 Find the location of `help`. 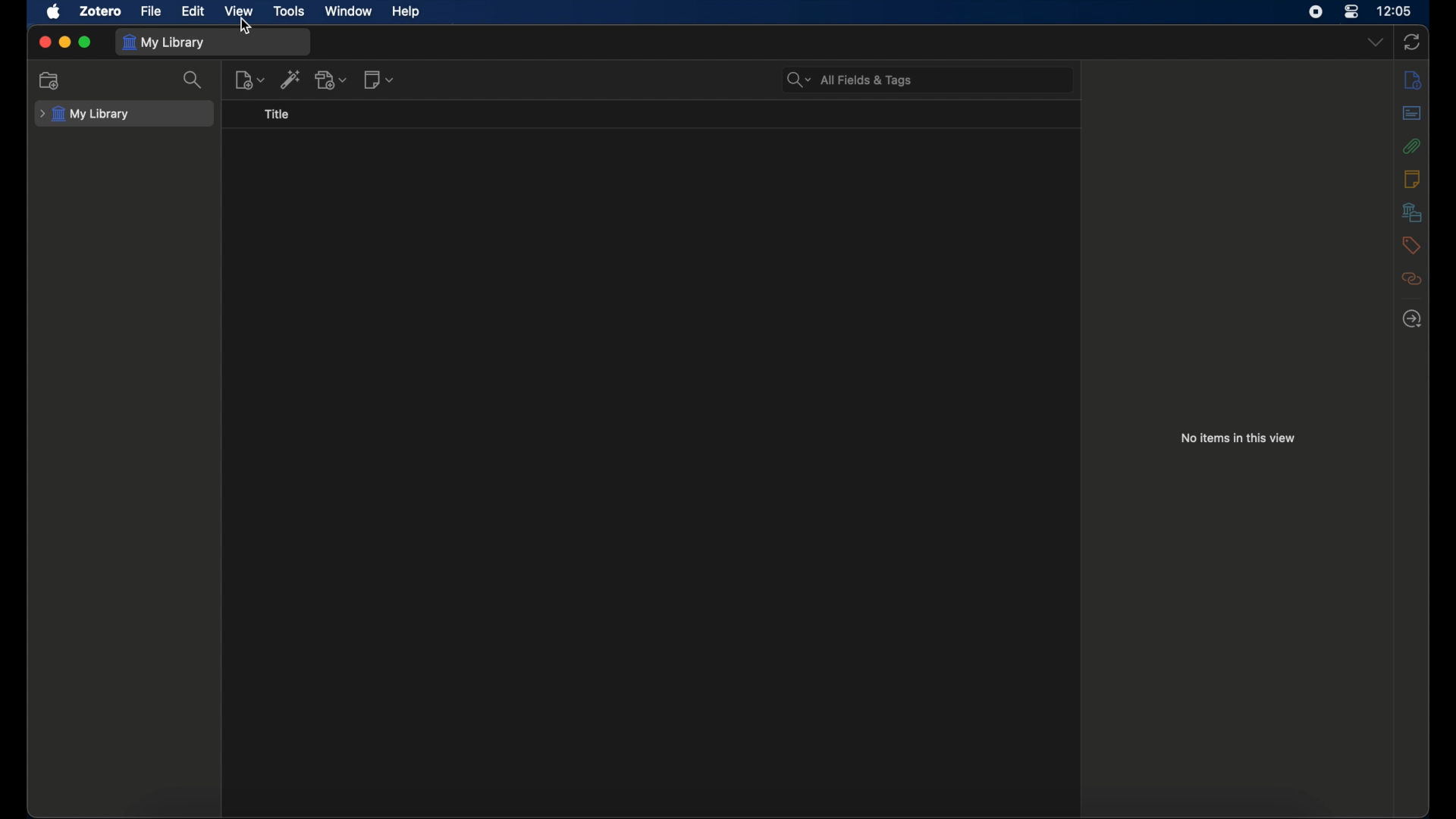

help is located at coordinates (406, 12).